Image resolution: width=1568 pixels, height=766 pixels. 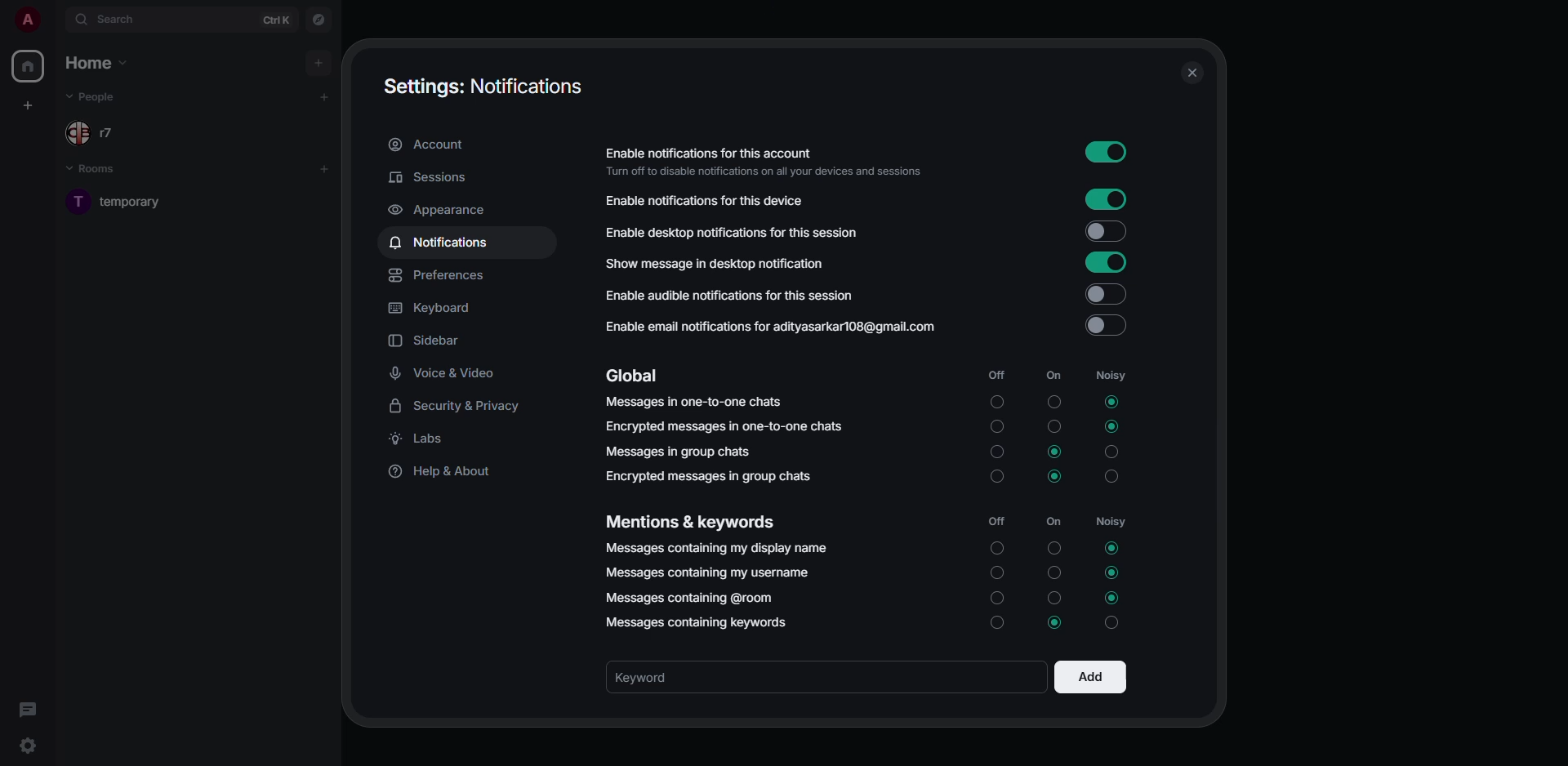 What do you see at coordinates (999, 428) in the screenshot?
I see `turnon` at bounding box center [999, 428].